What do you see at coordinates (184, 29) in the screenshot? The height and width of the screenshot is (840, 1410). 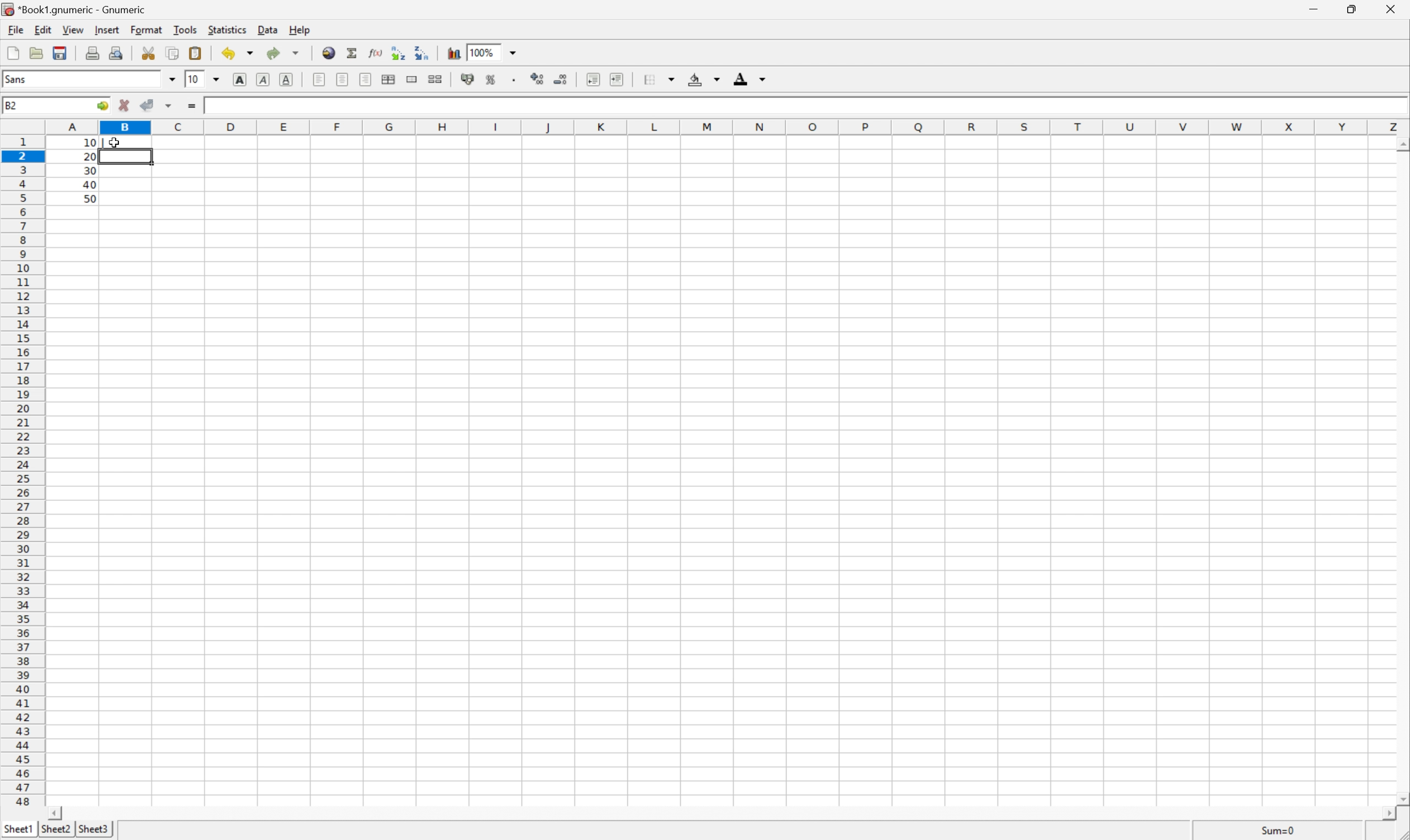 I see `Tools` at bounding box center [184, 29].